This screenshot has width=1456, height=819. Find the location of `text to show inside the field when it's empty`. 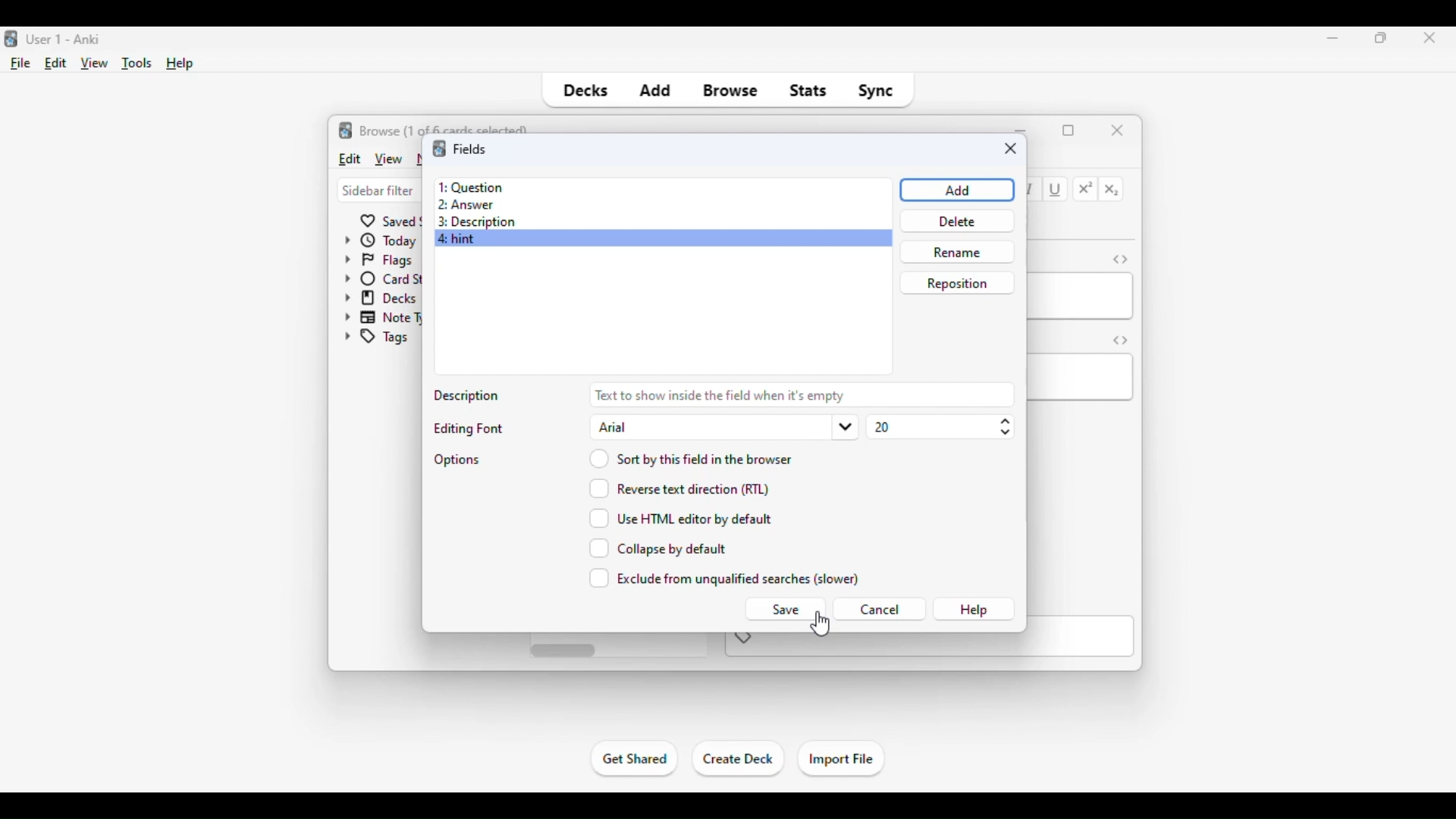

text to show inside the field when it's empty is located at coordinates (802, 394).